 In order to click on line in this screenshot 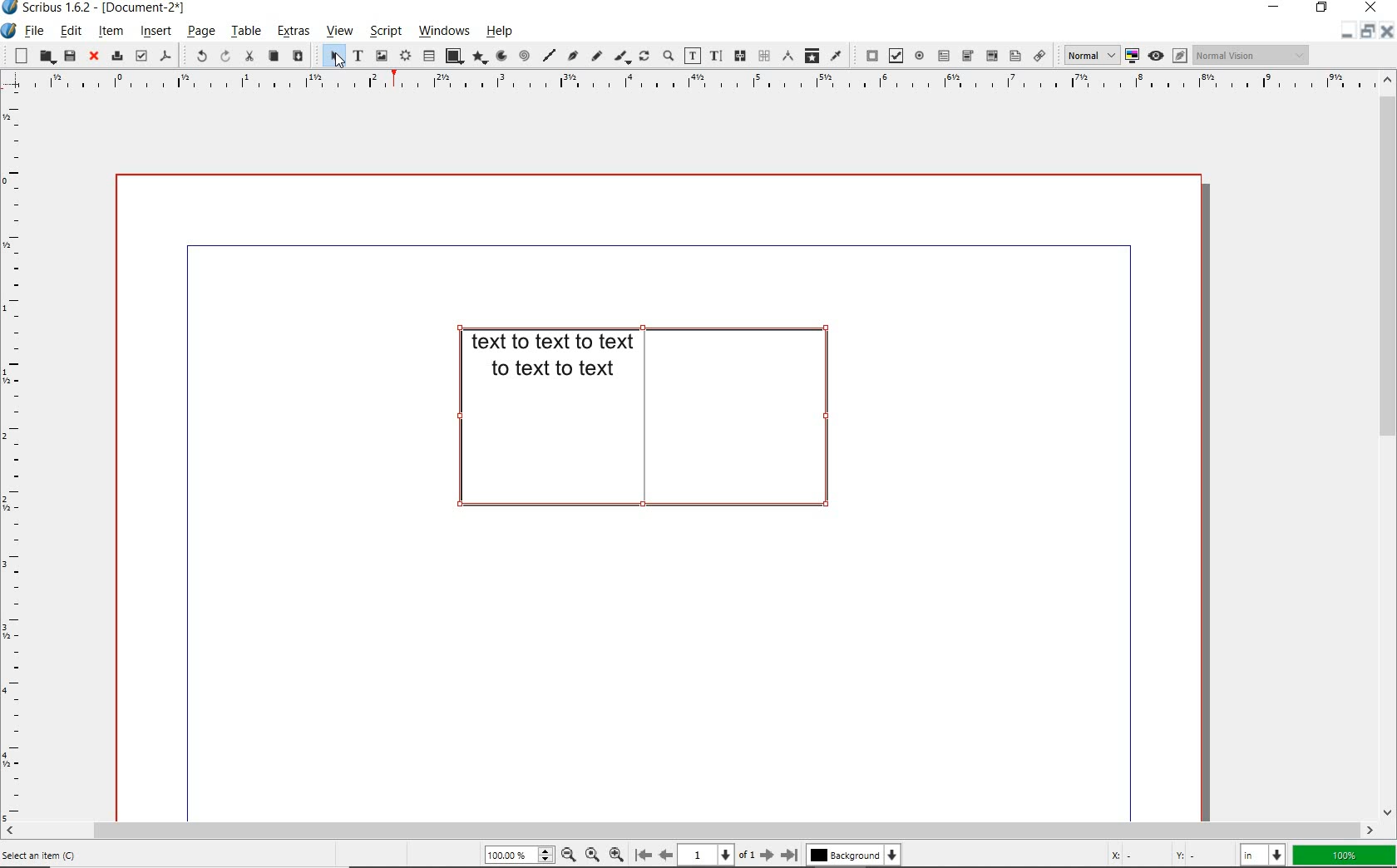, I will do `click(550, 55)`.